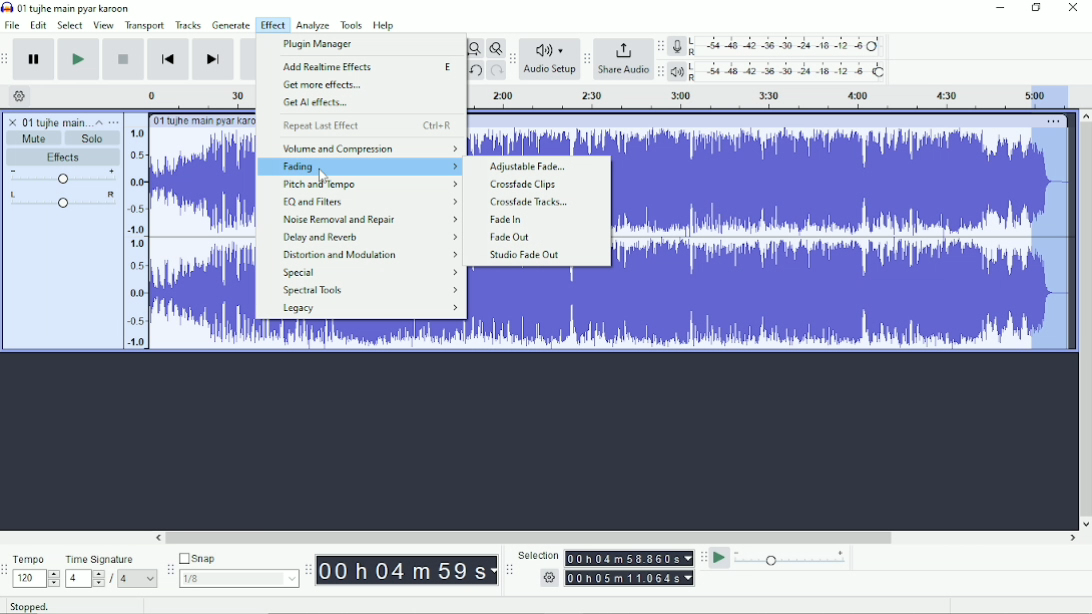  What do you see at coordinates (213, 60) in the screenshot?
I see `Skip to end` at bounding box center [213, 60].